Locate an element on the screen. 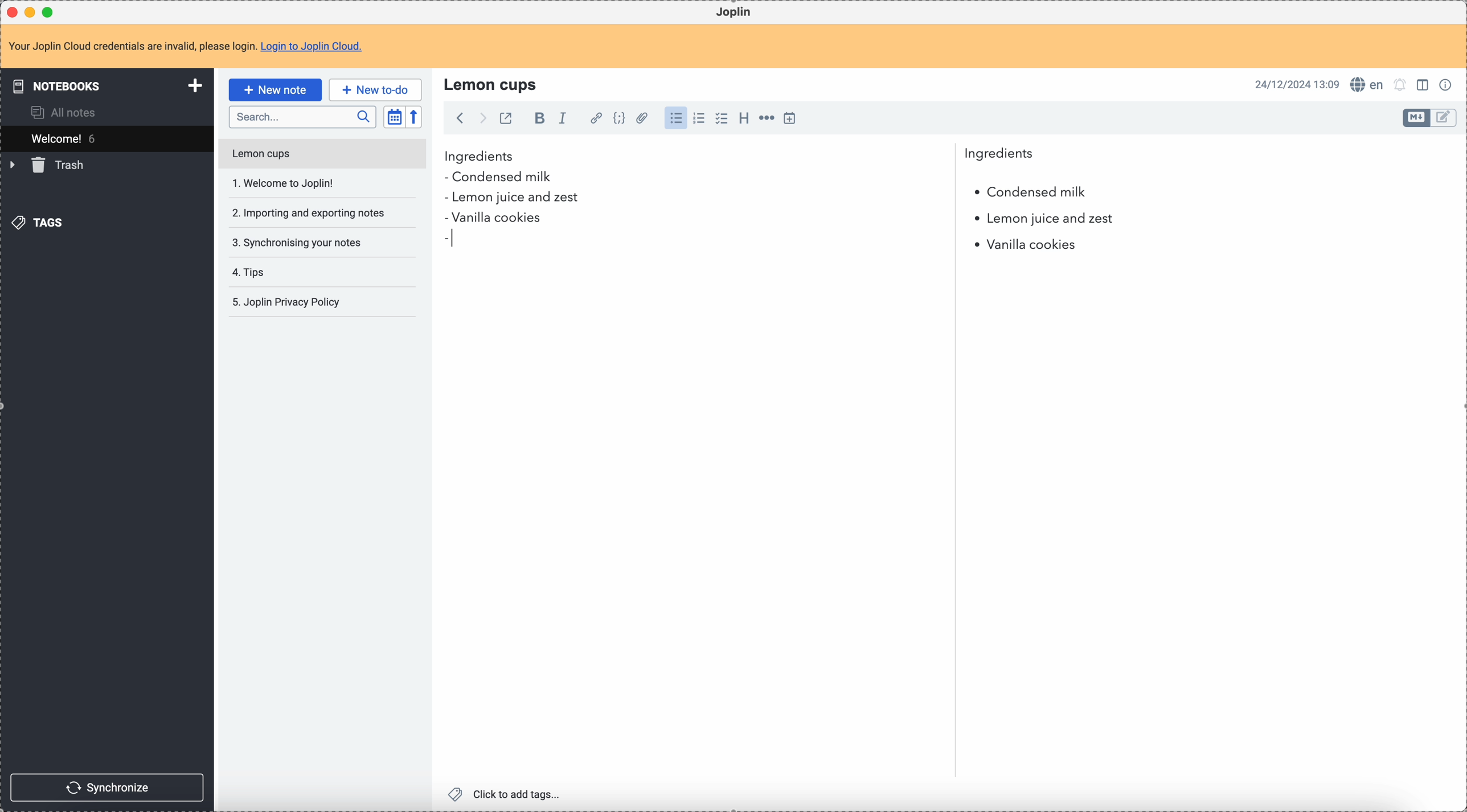 Image resolution: width=1467 pixels, height=812 pixels. search bar is located at coordinates (302, 117).